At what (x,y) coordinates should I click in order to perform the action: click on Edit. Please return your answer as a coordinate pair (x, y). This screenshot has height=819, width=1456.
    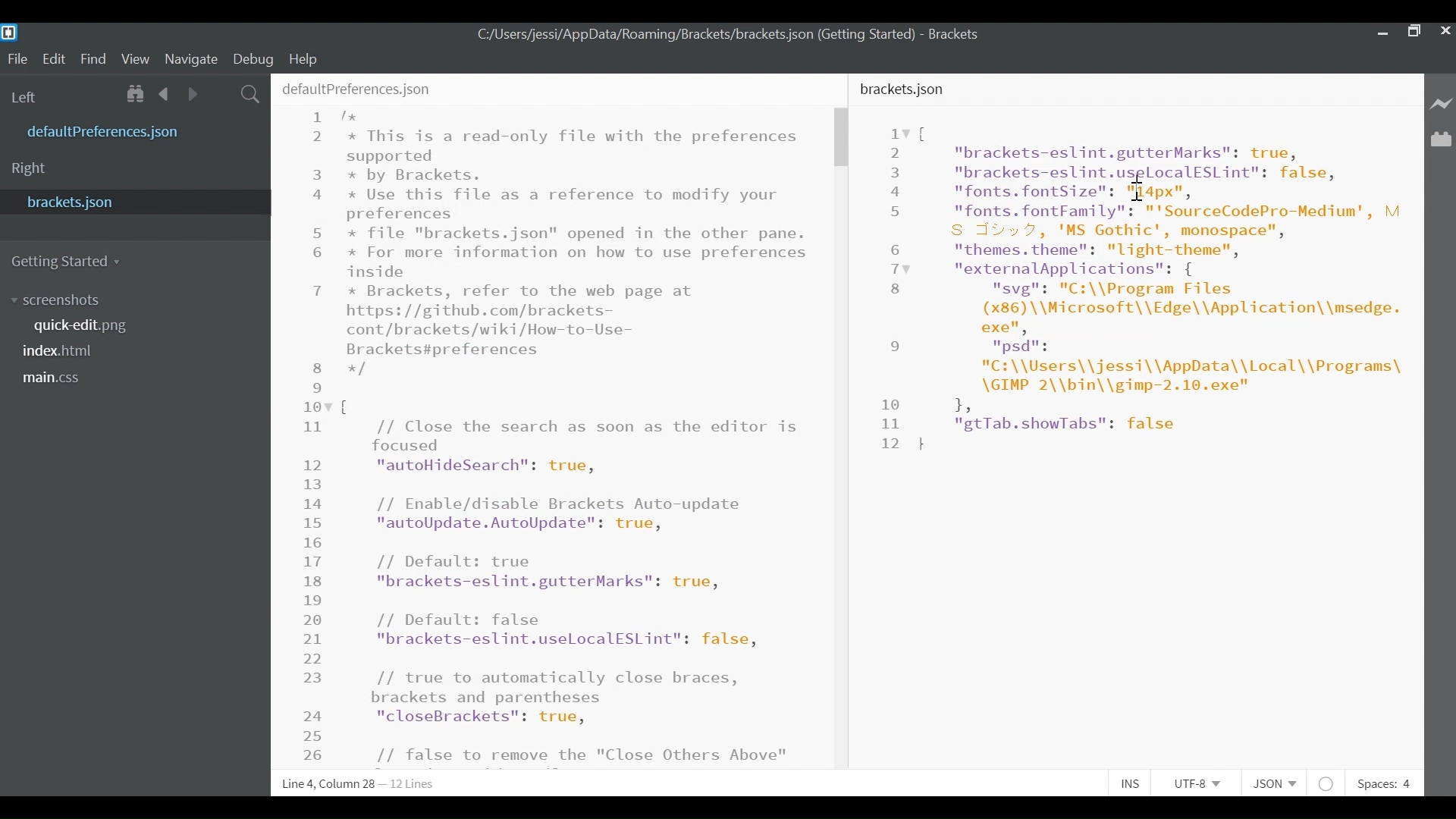
    Looking at the image, I should click on (52, 58).